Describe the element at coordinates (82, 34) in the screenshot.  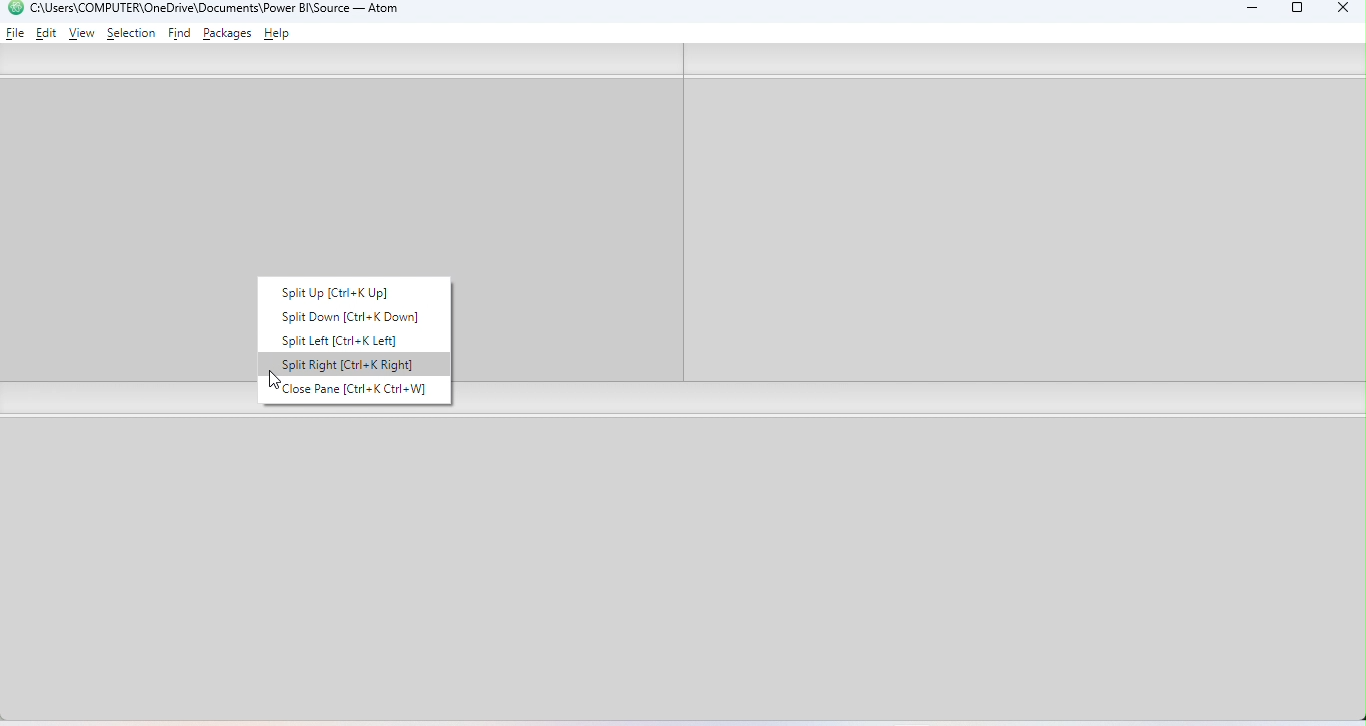
I see `View` at that location.